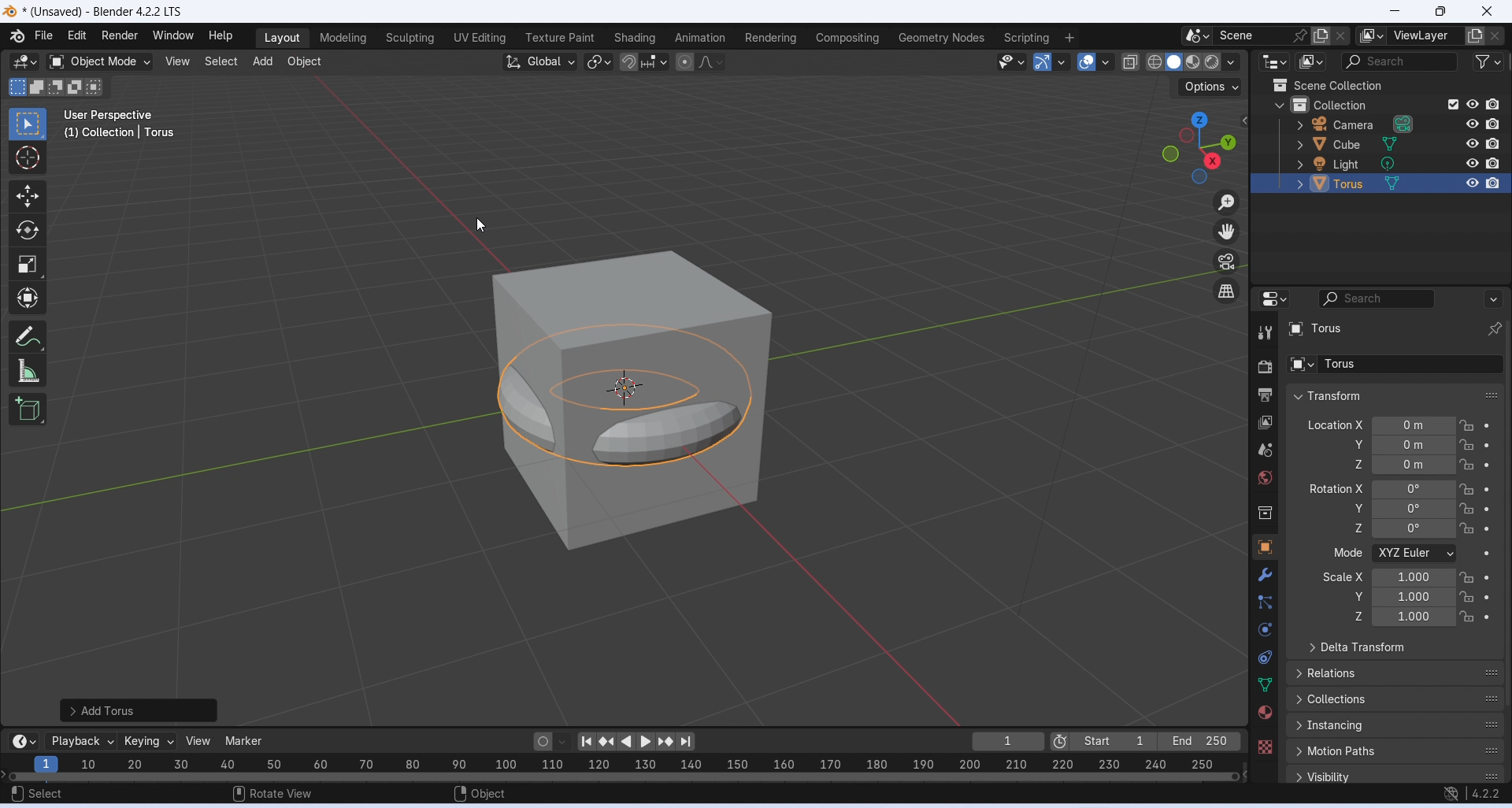 Image resolution: width=1512 pixels, height=808 pixels. Describe the element at coordinates (1198, 741) in the screenshot. I see `End 250` at that location.